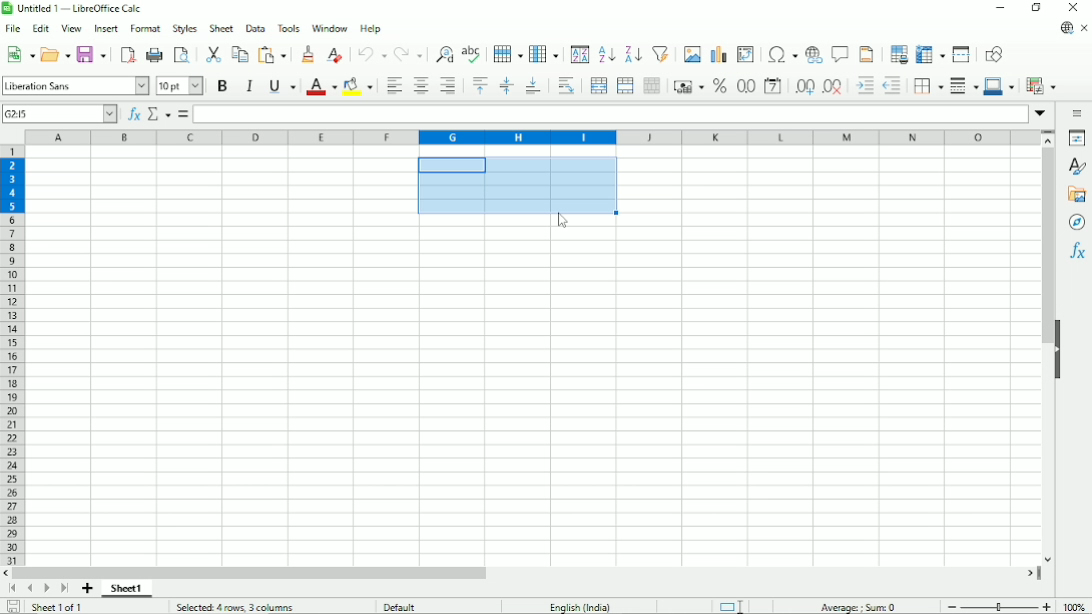 The image size is (1092, 614). What do you see at coordinates (999, 86) in the screenshot?
I see `Border color` at bounding box center [999, 86].